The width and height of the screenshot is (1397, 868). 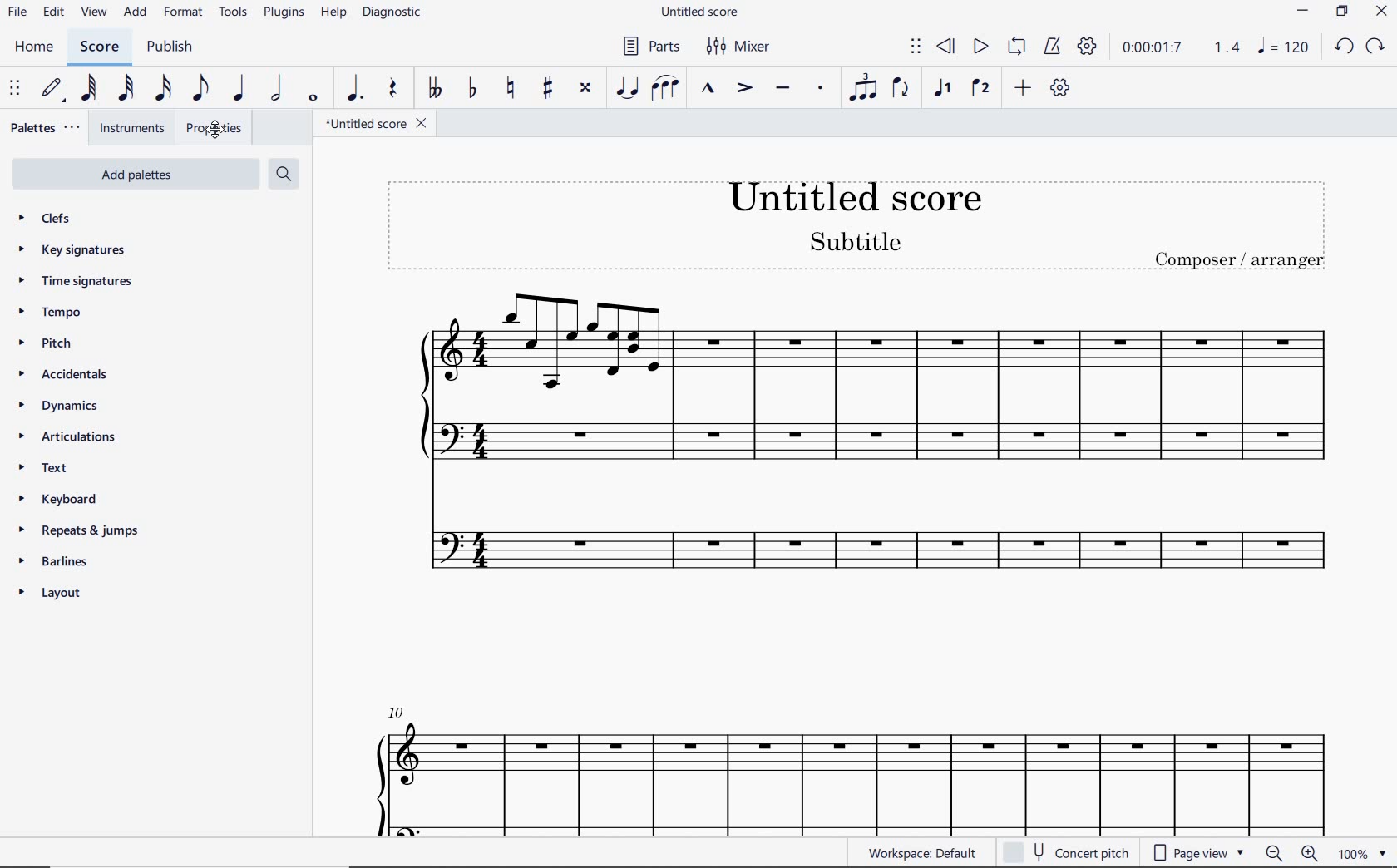 What do you see at coordinates (1178, 47) in the screenshot?
I see `PLAY TIME` at bounding box center [1178, 47].